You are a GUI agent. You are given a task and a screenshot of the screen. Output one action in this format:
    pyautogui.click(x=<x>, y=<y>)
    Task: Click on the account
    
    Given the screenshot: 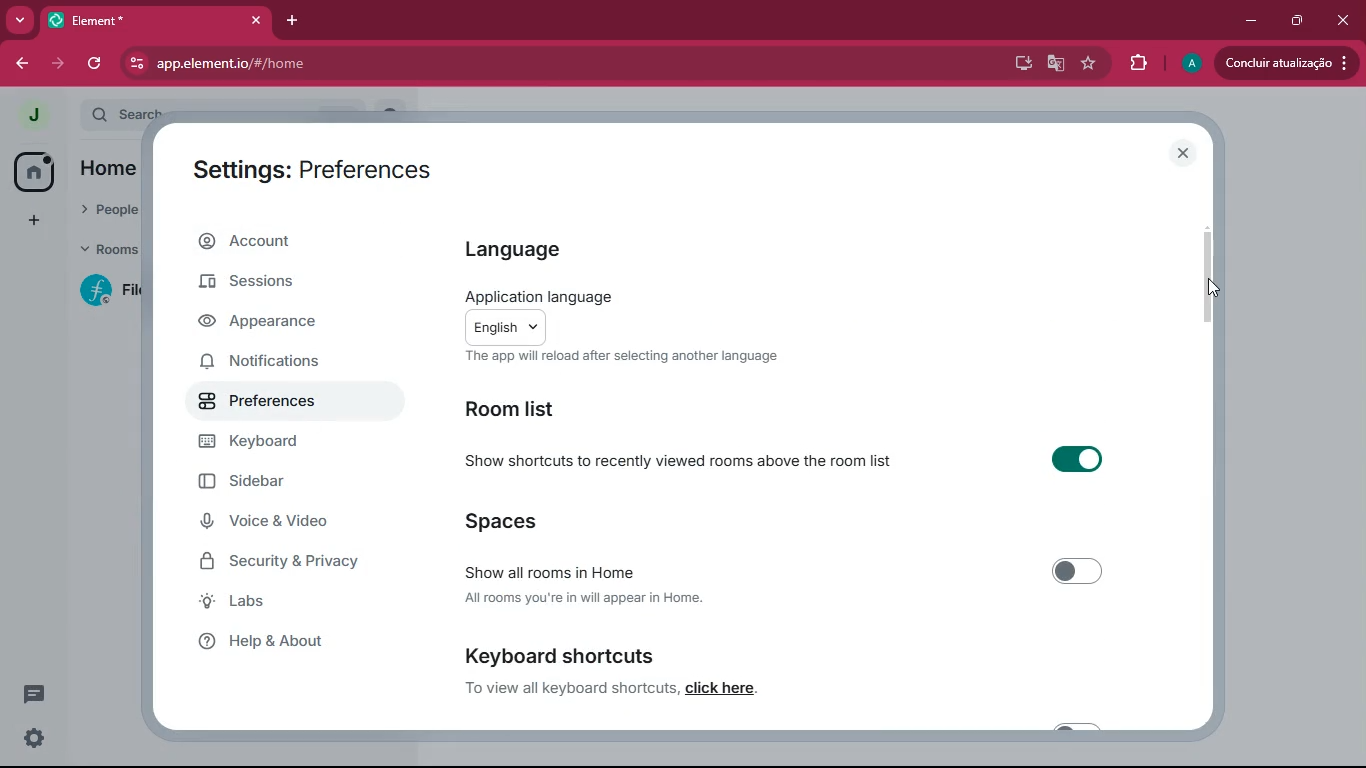 What is the action you would take?
    pyautogui.click(x=293, y=239)
    